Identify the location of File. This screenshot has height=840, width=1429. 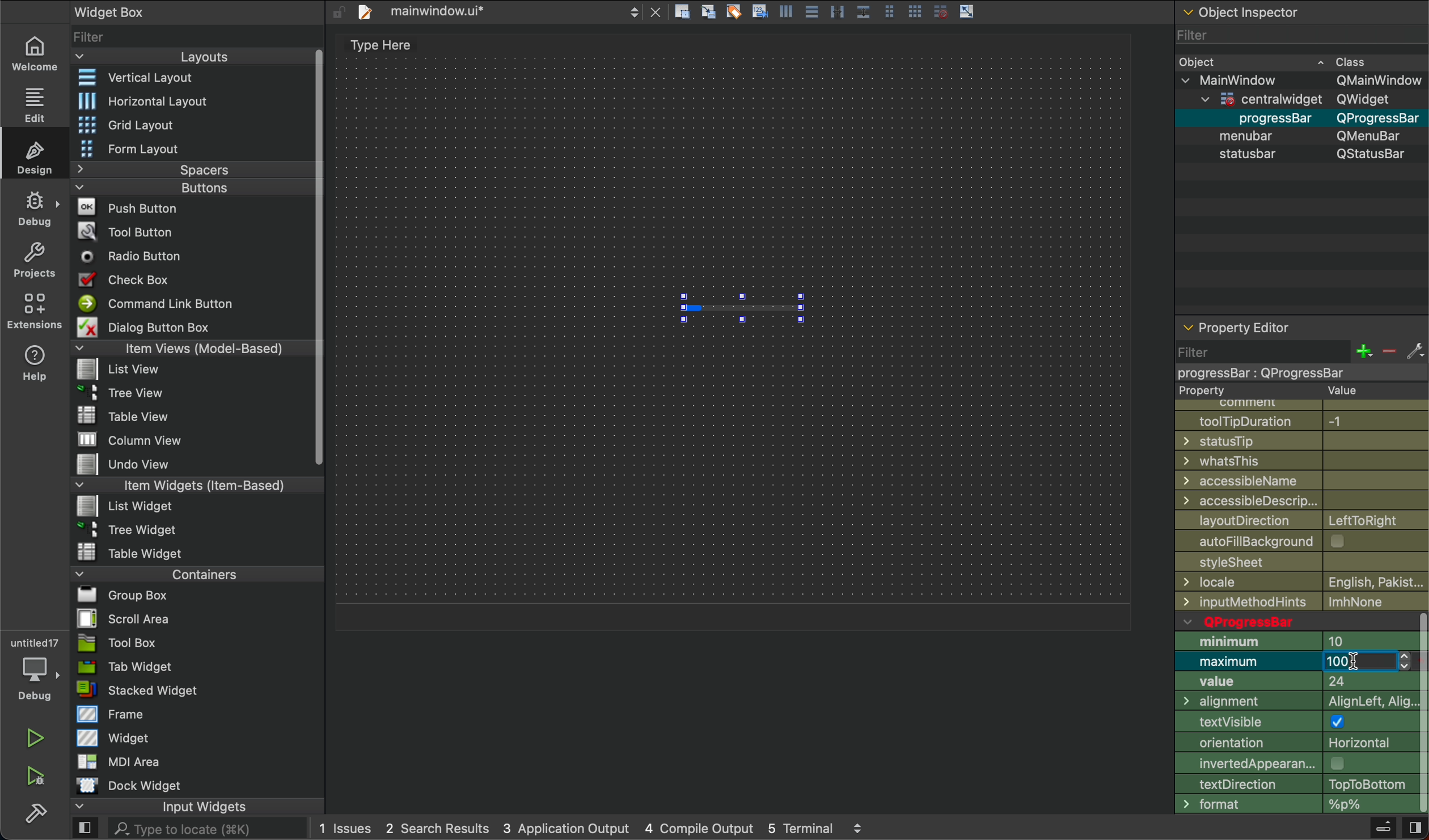
(132, 551).